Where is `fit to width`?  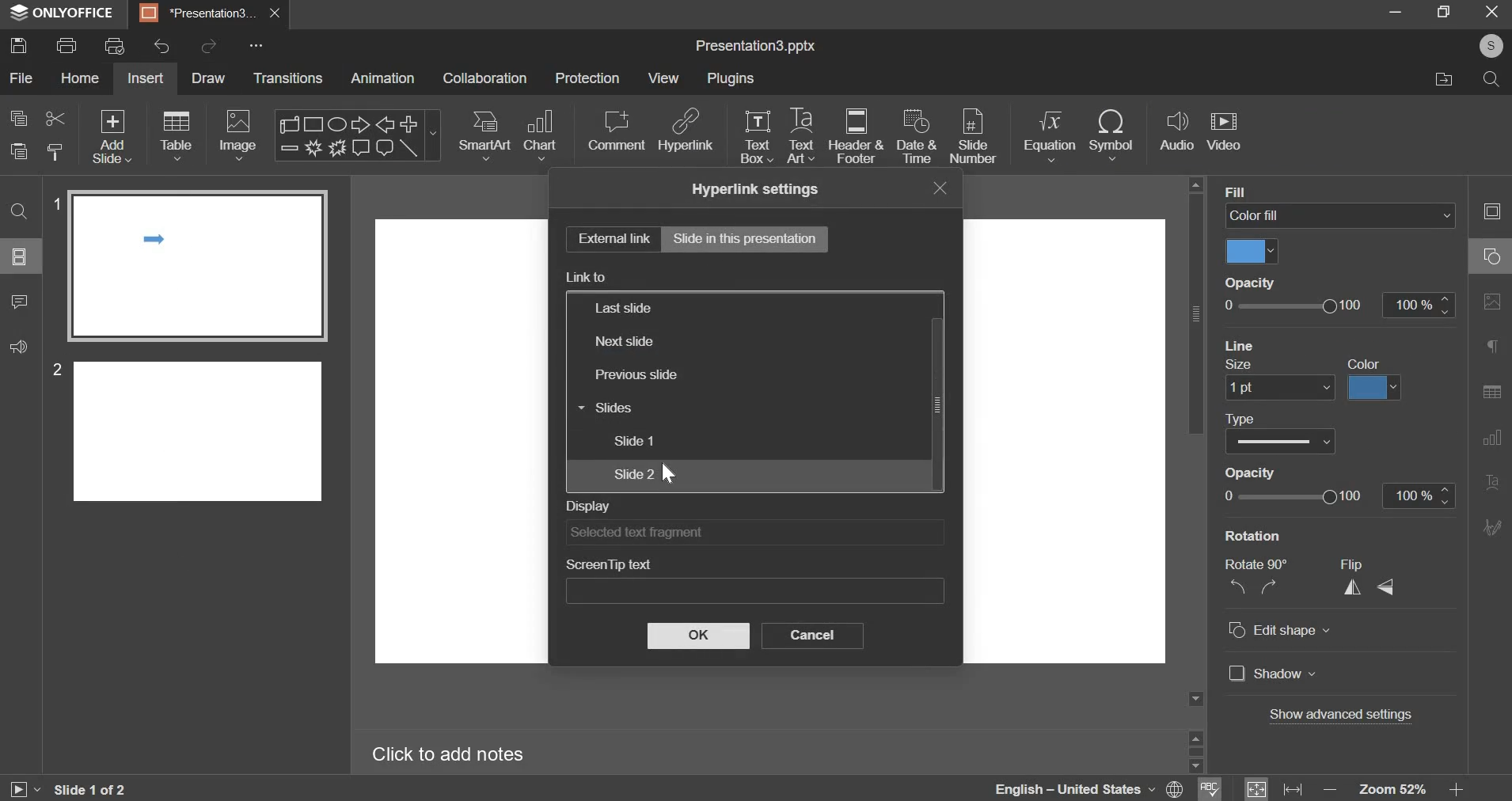 fit to width is located at coordinates (1293, 790).